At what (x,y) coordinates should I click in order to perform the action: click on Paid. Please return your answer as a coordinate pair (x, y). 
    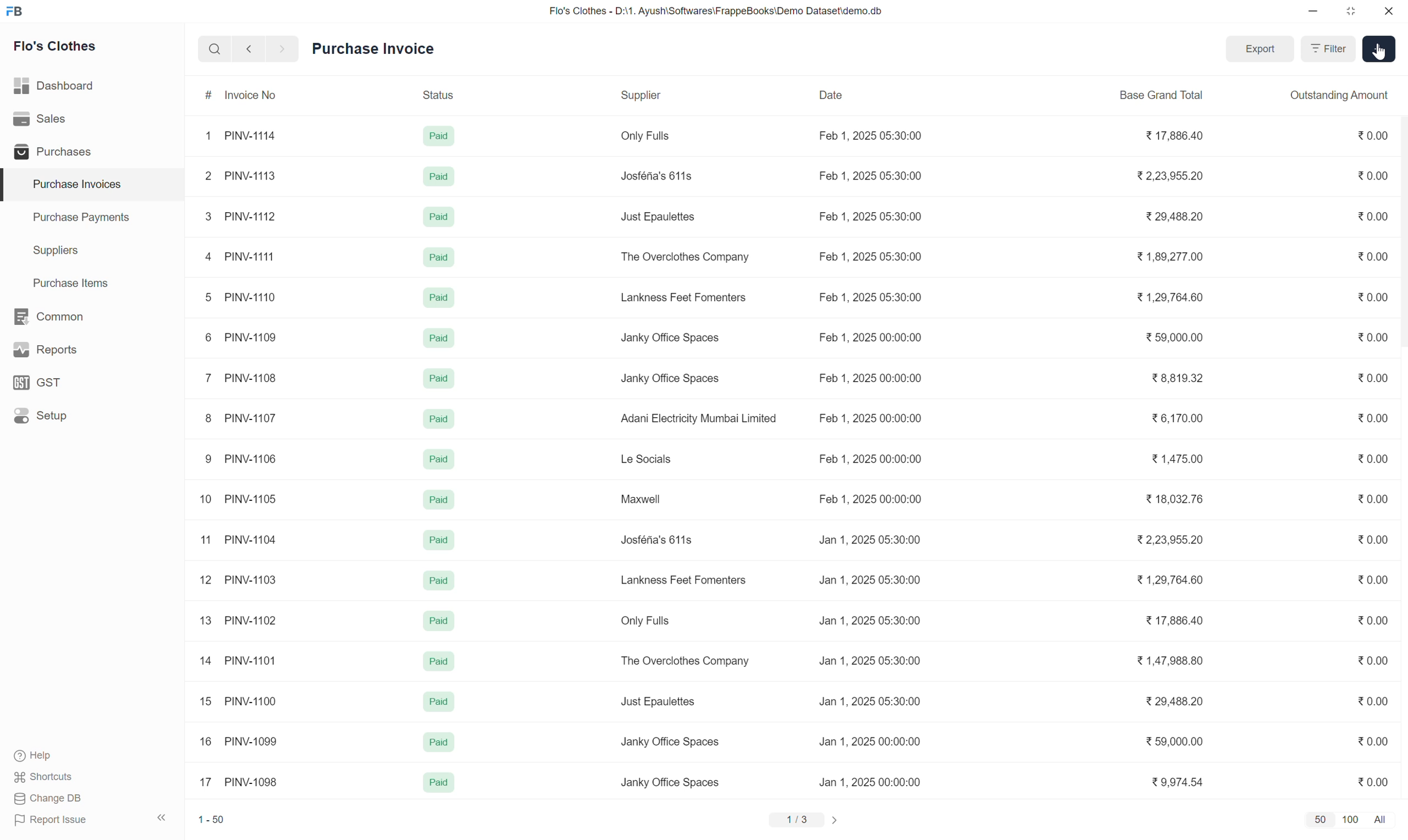
    Looking at the image, I should click on (438, 459).